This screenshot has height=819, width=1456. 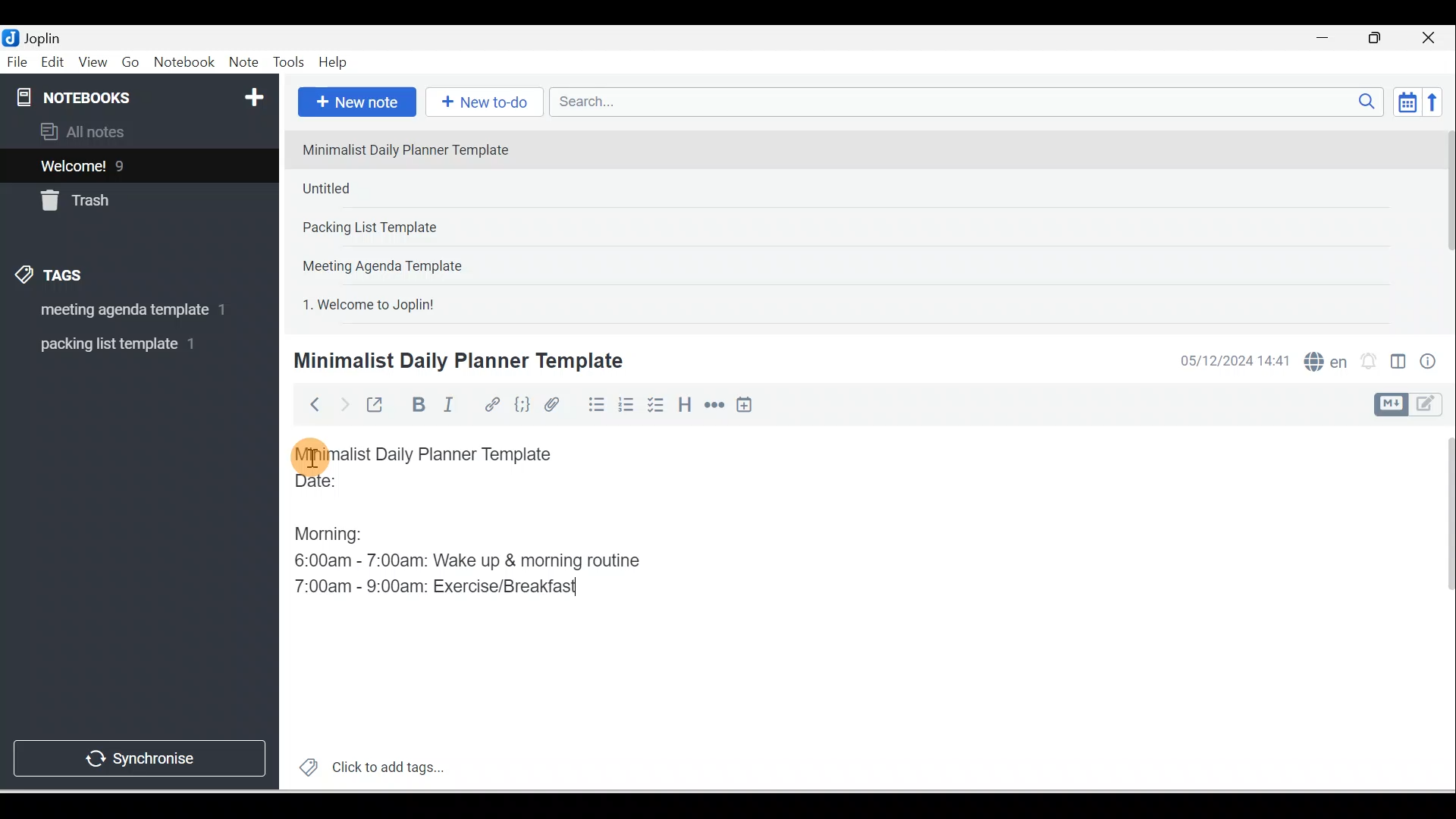 I want to click on New to-do, so click(x=481, y=103).